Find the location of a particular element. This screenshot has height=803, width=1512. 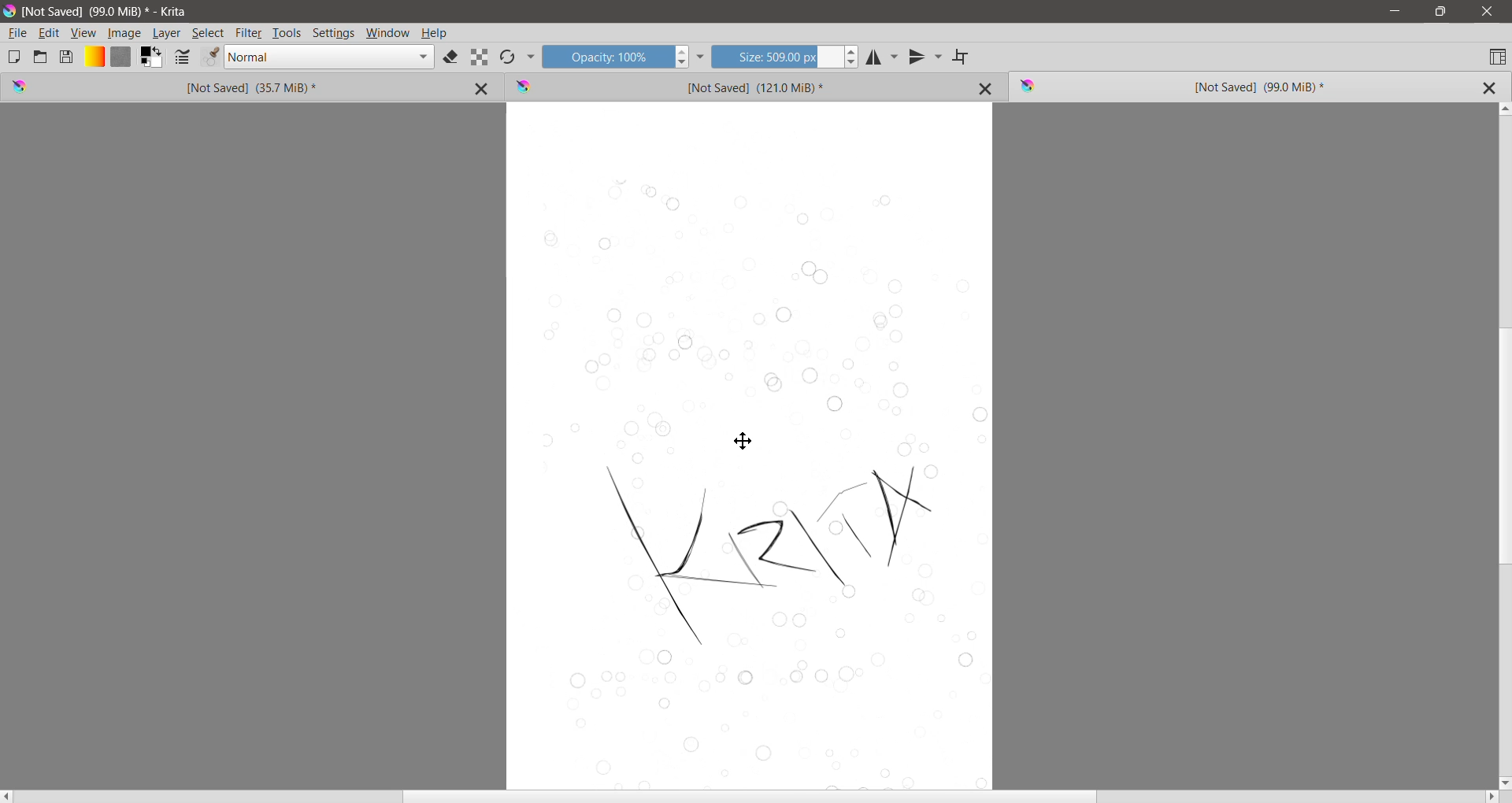

Move tool cursor is located at coordinates (743, 441).